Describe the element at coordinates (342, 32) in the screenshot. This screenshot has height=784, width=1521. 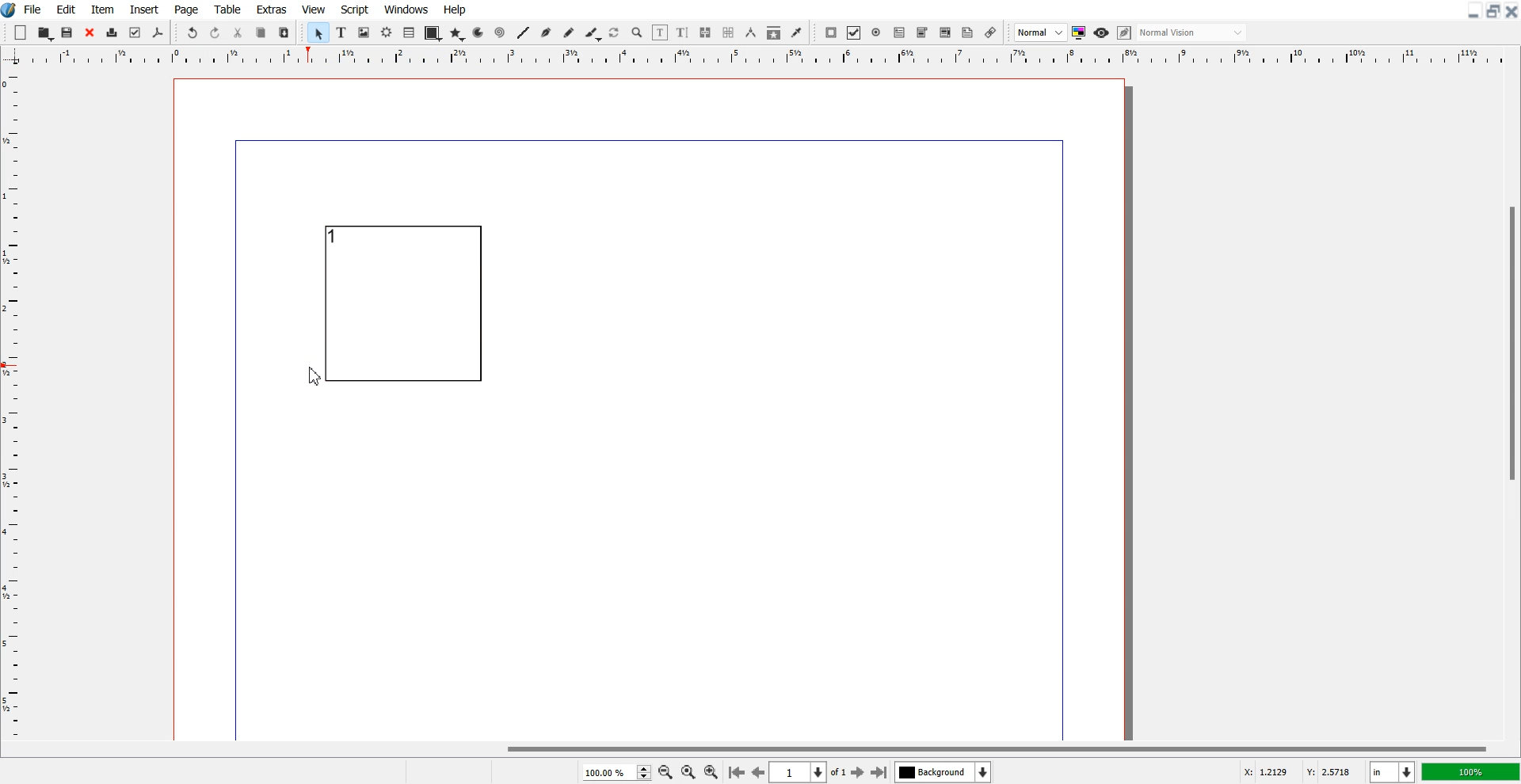
I see `Text Frame` at that location.